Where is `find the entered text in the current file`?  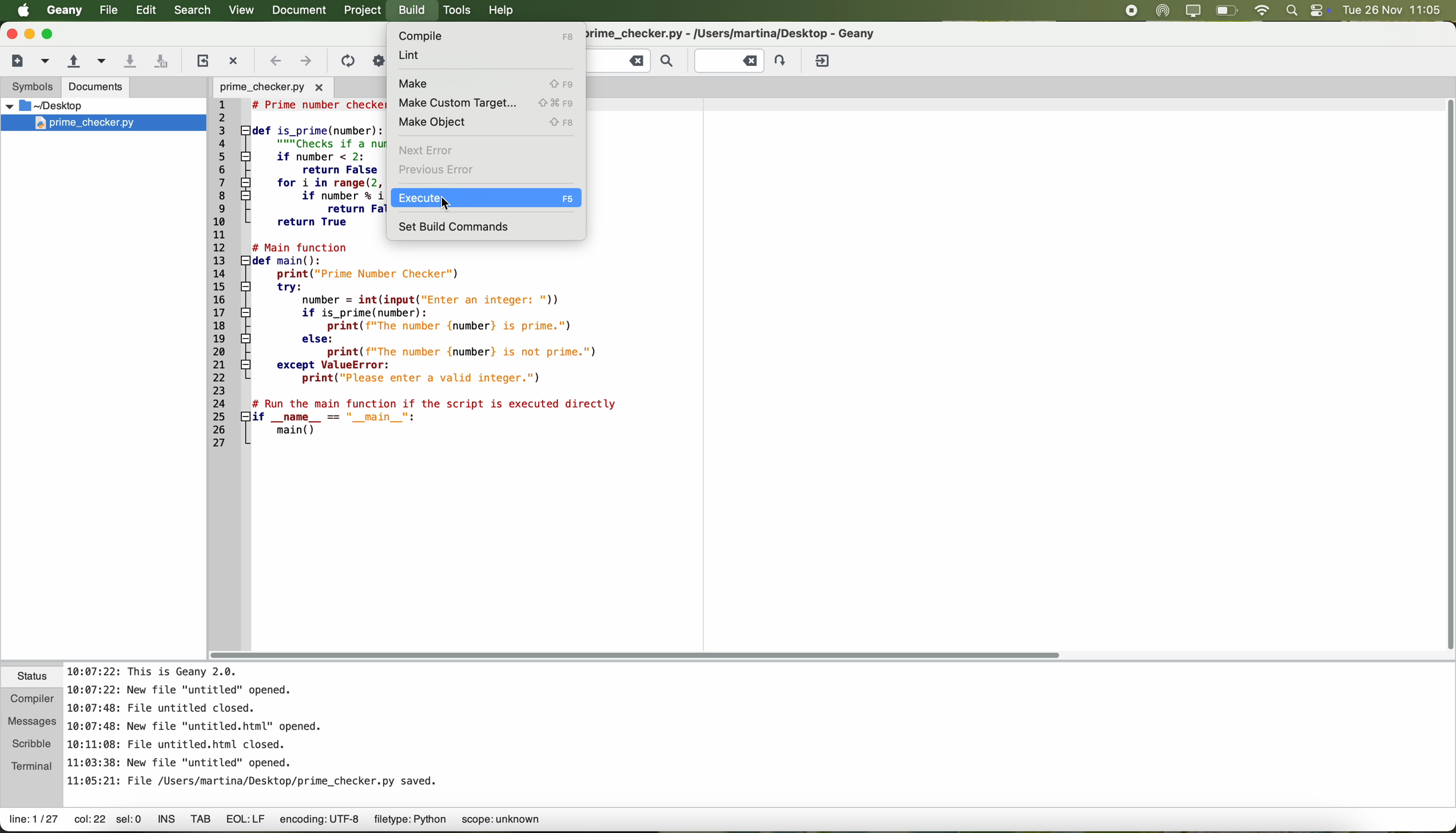
find the entered text in the current file is located at coordinates (634, 62).